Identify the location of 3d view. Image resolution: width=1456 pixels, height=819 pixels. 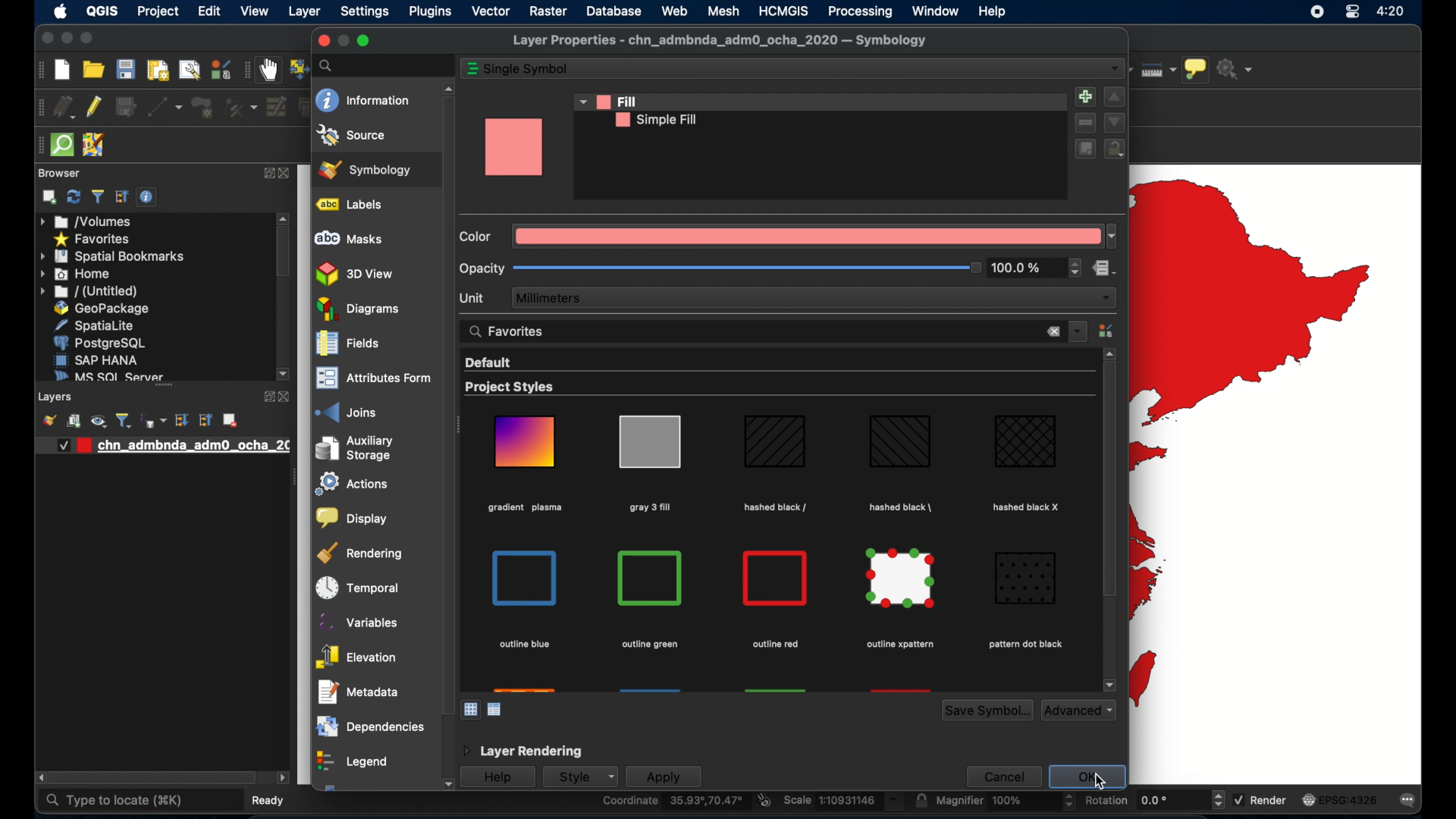
(356, 274).